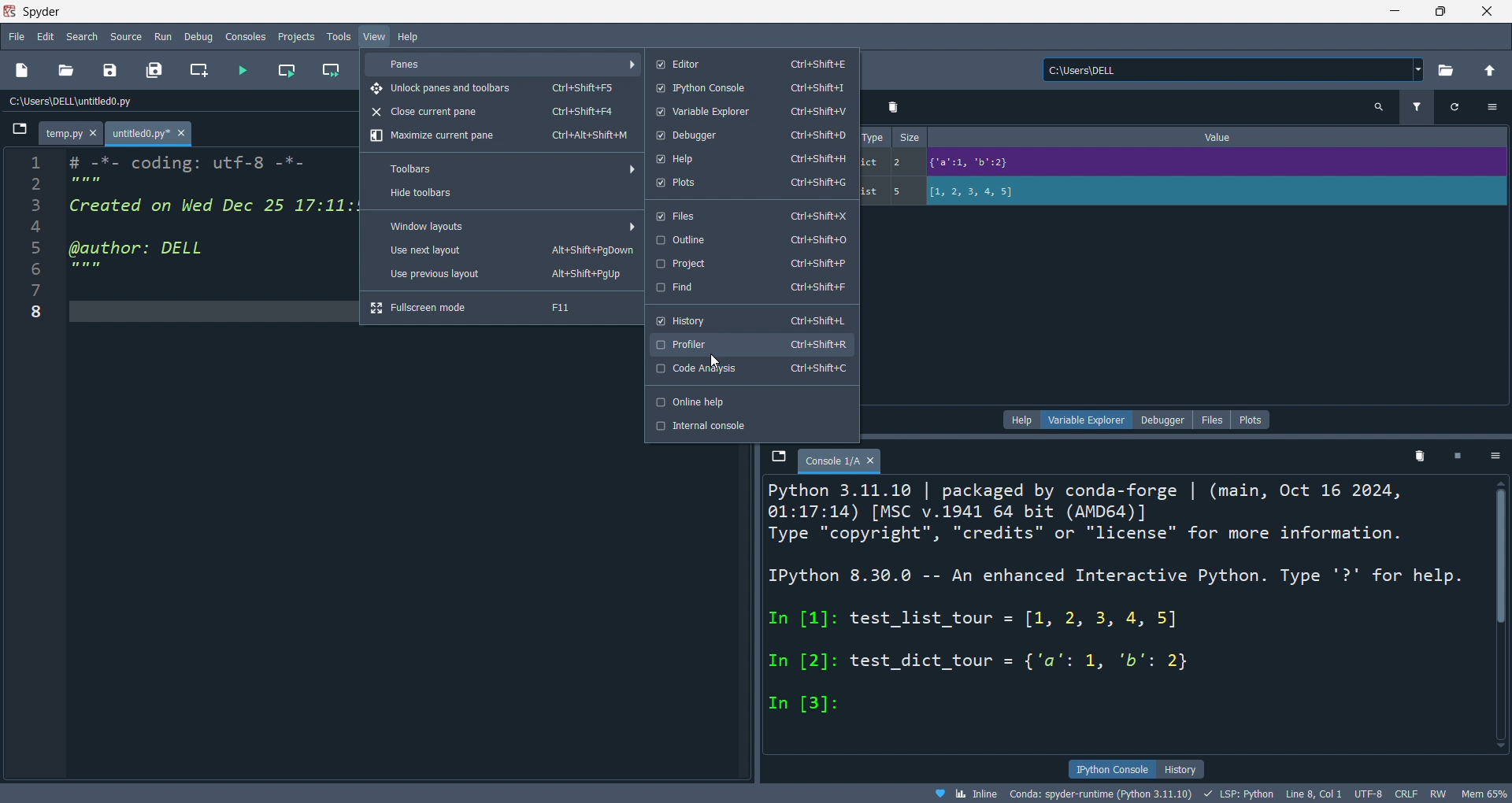 This screenshot has height=803, width=1512. I want to click on use prev layour, so click(502, 276).